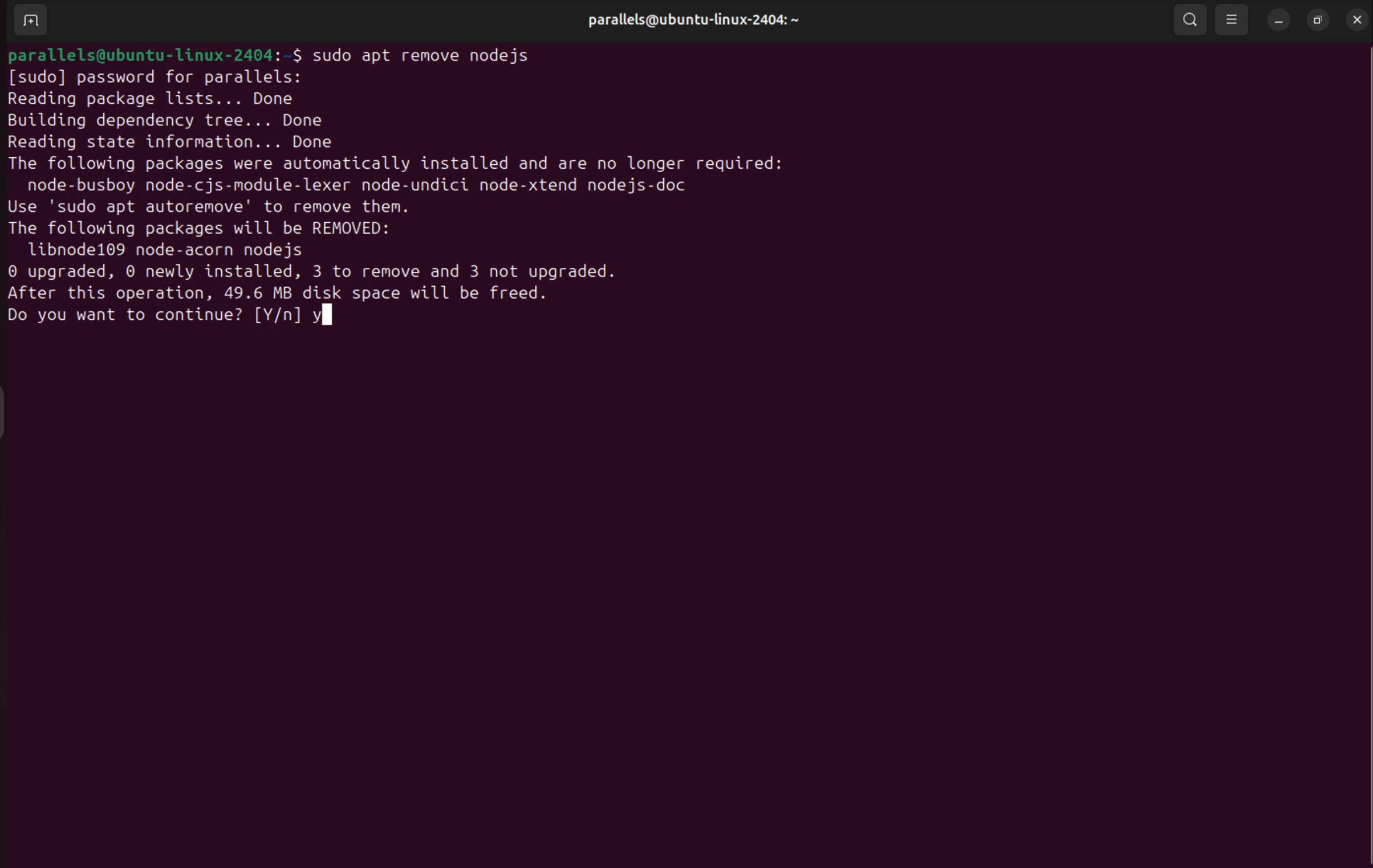 This screenshot has width=1373, height=868. I want to click on minimize, so click(1277, 21).